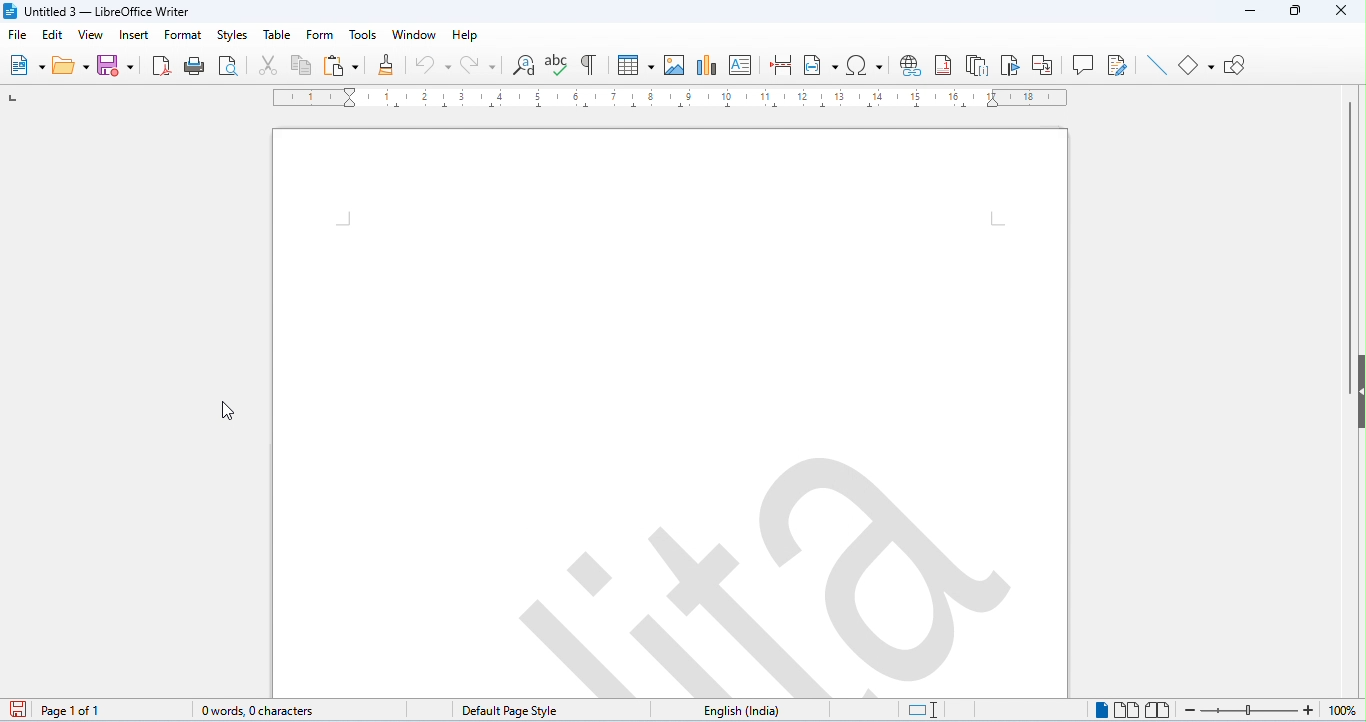 This screenshot has height=722, width=1366. What do you see at coordinates (1130, 710) in the screenshot?
I see `multi page view` at bounding box center [1130, 710].